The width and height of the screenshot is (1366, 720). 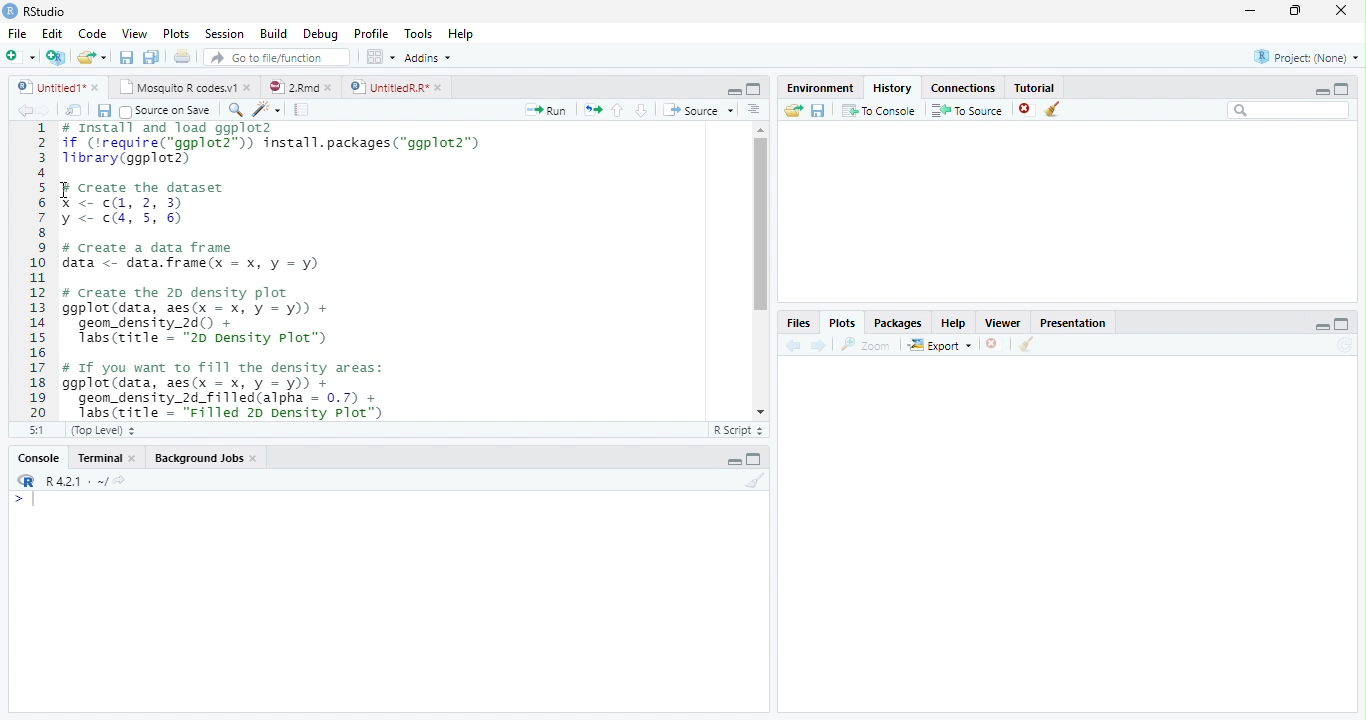 What do you see at coordinates (104, 111) in the screenshot?
I see `save` at bounding box center [104, 111].